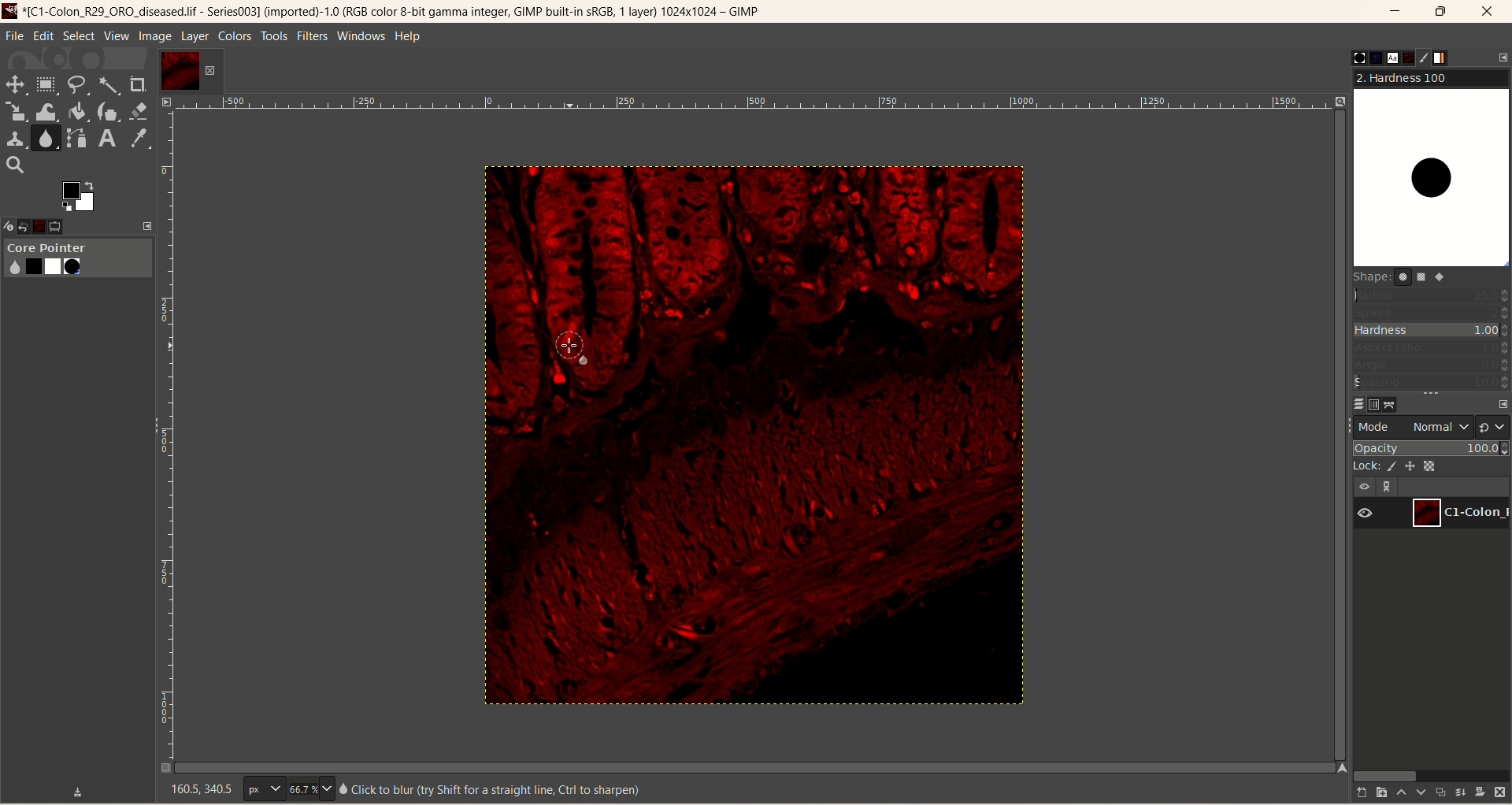 This screenshot has height=805, width=1512. I want to click on expand, so click(148, 225).